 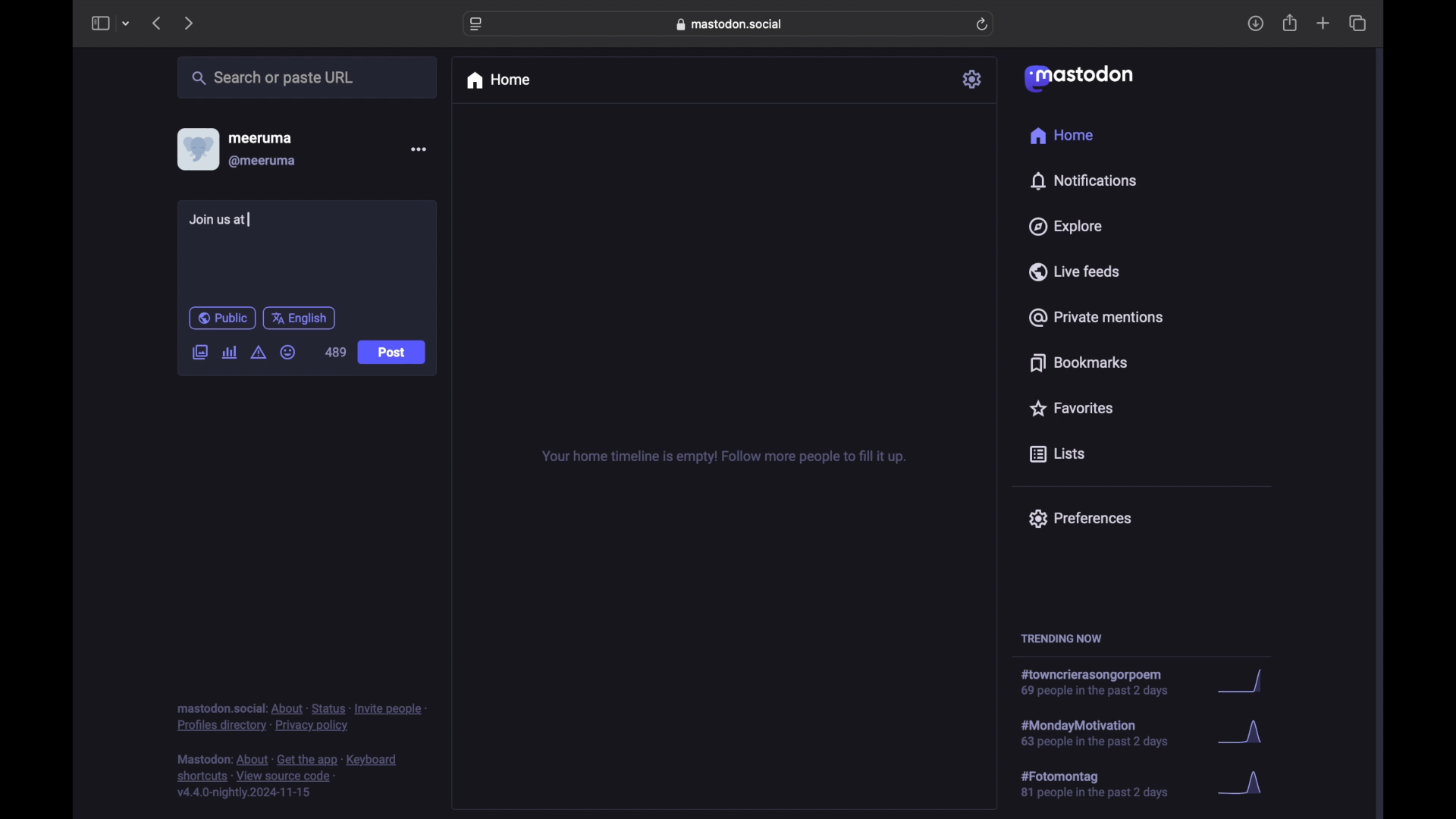 What do you see at coordinates (288, 353) in the screenshot?
I see `emoji` at bounding box center [288, 353].